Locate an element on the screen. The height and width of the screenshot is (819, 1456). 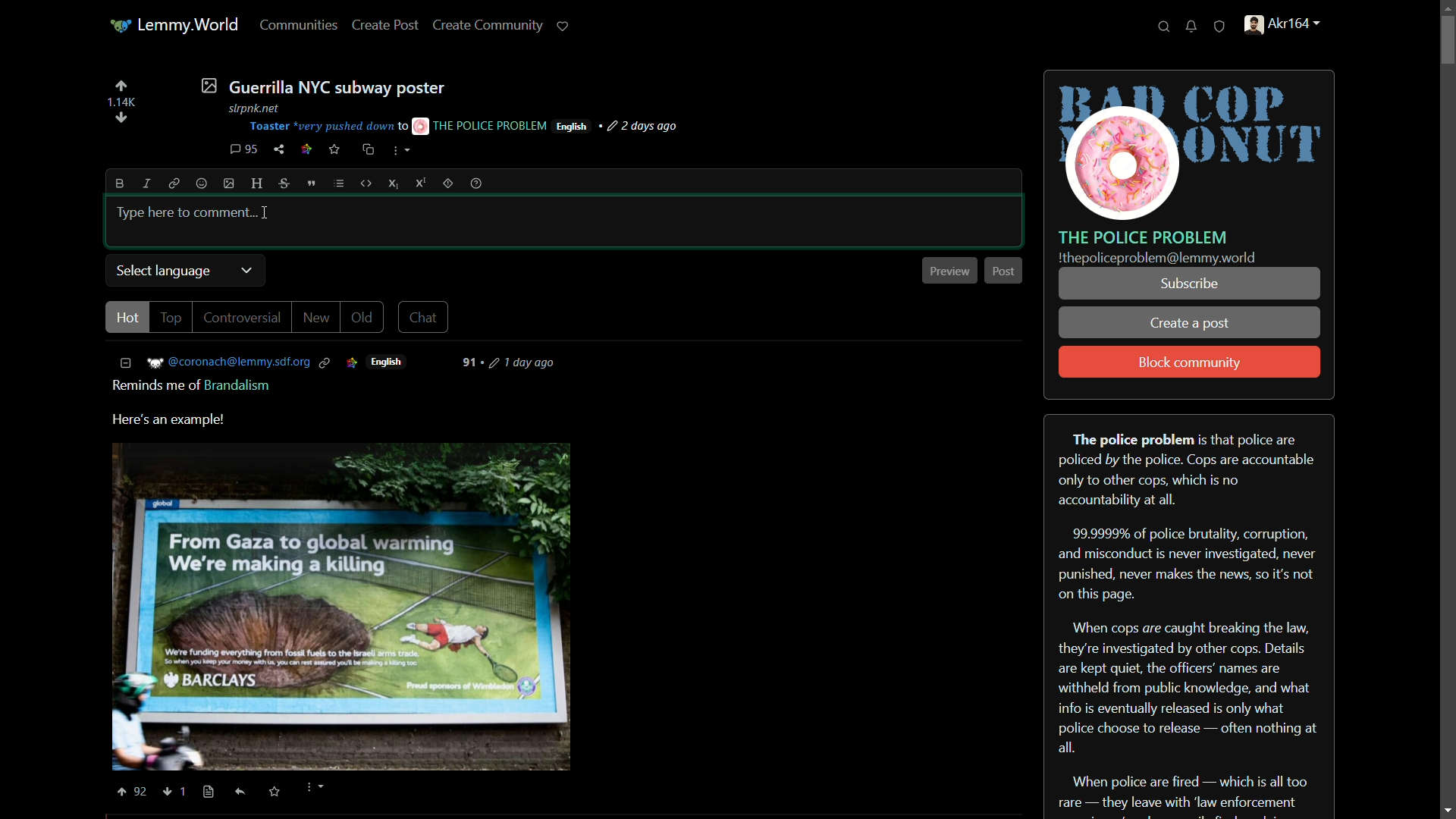
less information is located at coordinates (127, 362).